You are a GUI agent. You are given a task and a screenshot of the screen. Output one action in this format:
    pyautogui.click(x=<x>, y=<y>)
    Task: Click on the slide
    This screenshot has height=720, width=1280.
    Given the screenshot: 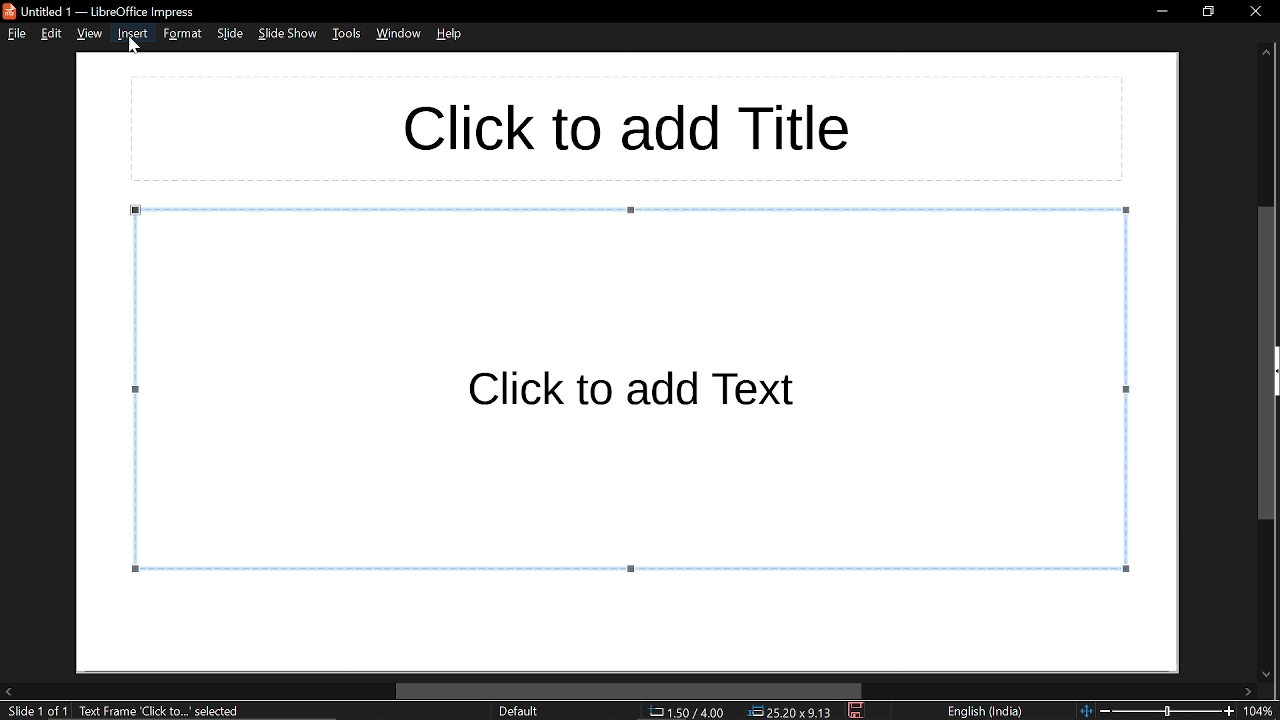 What is the action you would take?
    pyautogui.click(x=231, y=34)
    